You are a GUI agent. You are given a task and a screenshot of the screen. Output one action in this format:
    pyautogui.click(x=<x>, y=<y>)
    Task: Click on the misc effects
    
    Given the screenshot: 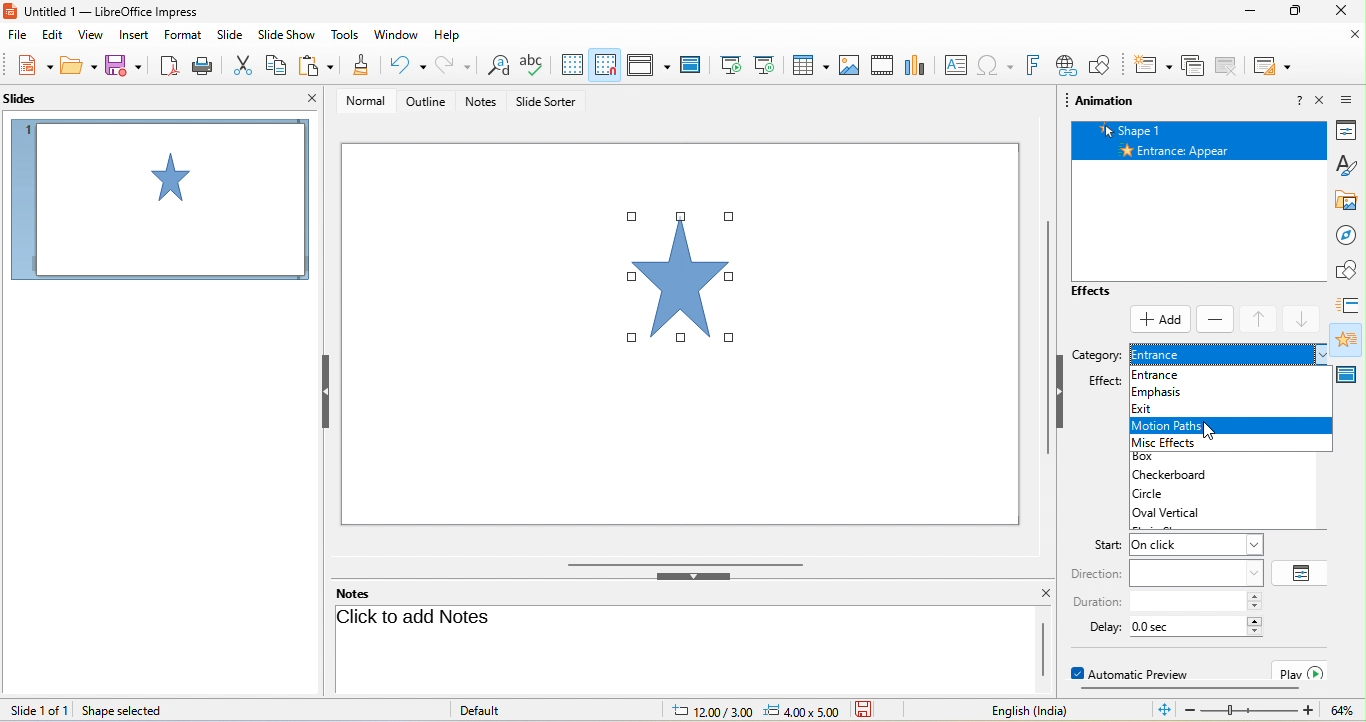 What is the action you would take?
    pyautogui.click(x=1166, y=442)
    